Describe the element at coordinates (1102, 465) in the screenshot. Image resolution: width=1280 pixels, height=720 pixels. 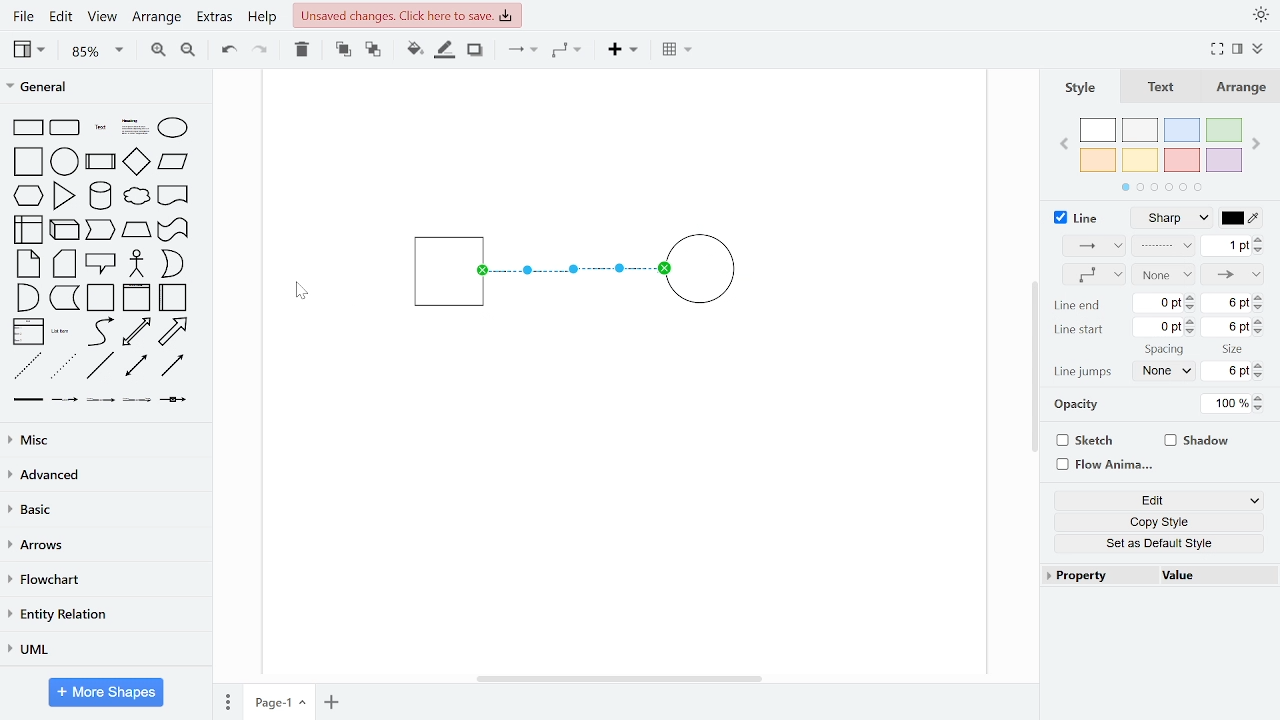
I see `flow animation` at that location.